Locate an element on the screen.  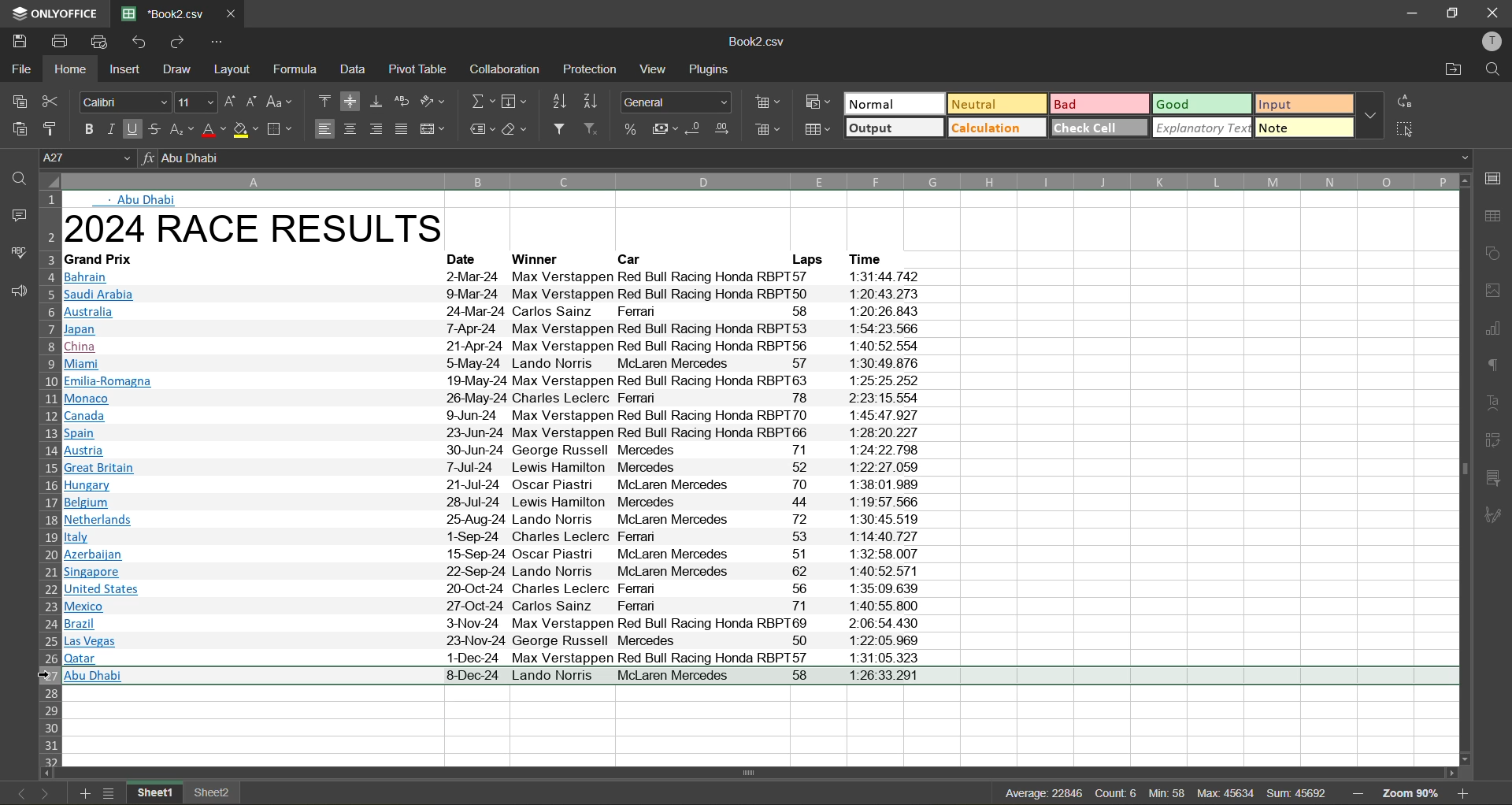
layout is located at coordinates (236, 69).